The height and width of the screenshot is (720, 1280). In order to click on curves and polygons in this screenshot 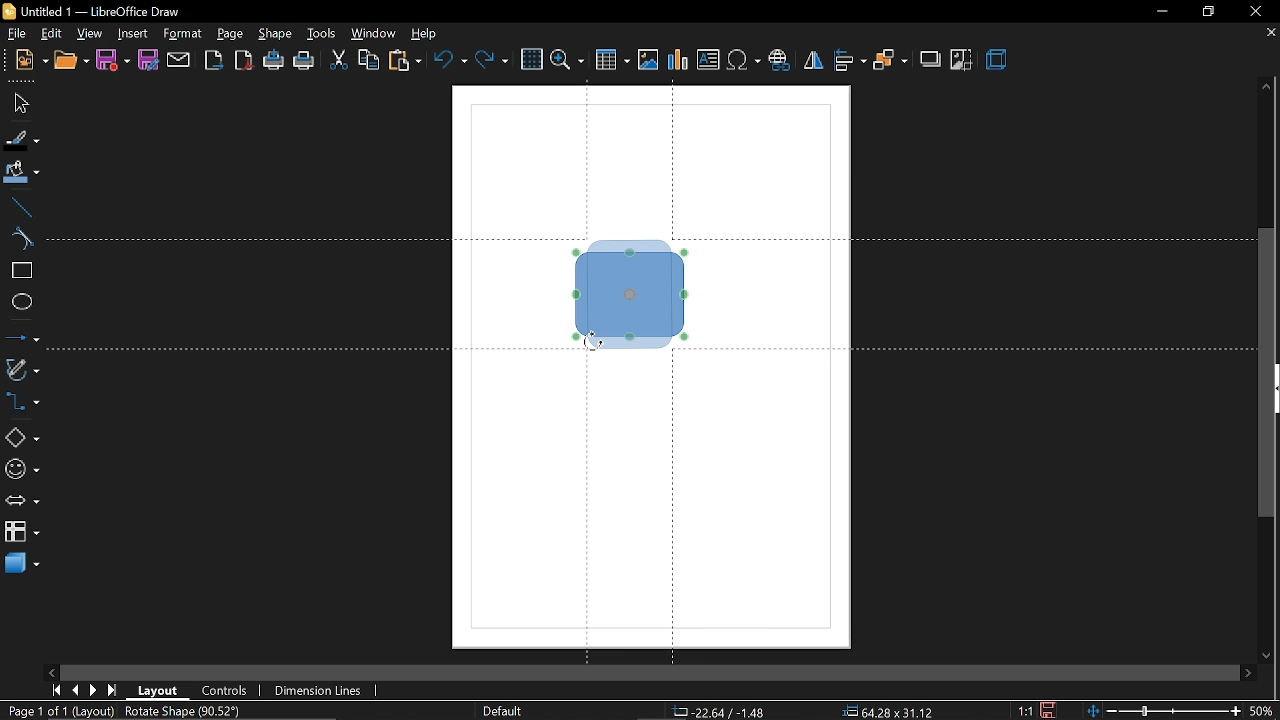, I will do `click(21, 370)`.